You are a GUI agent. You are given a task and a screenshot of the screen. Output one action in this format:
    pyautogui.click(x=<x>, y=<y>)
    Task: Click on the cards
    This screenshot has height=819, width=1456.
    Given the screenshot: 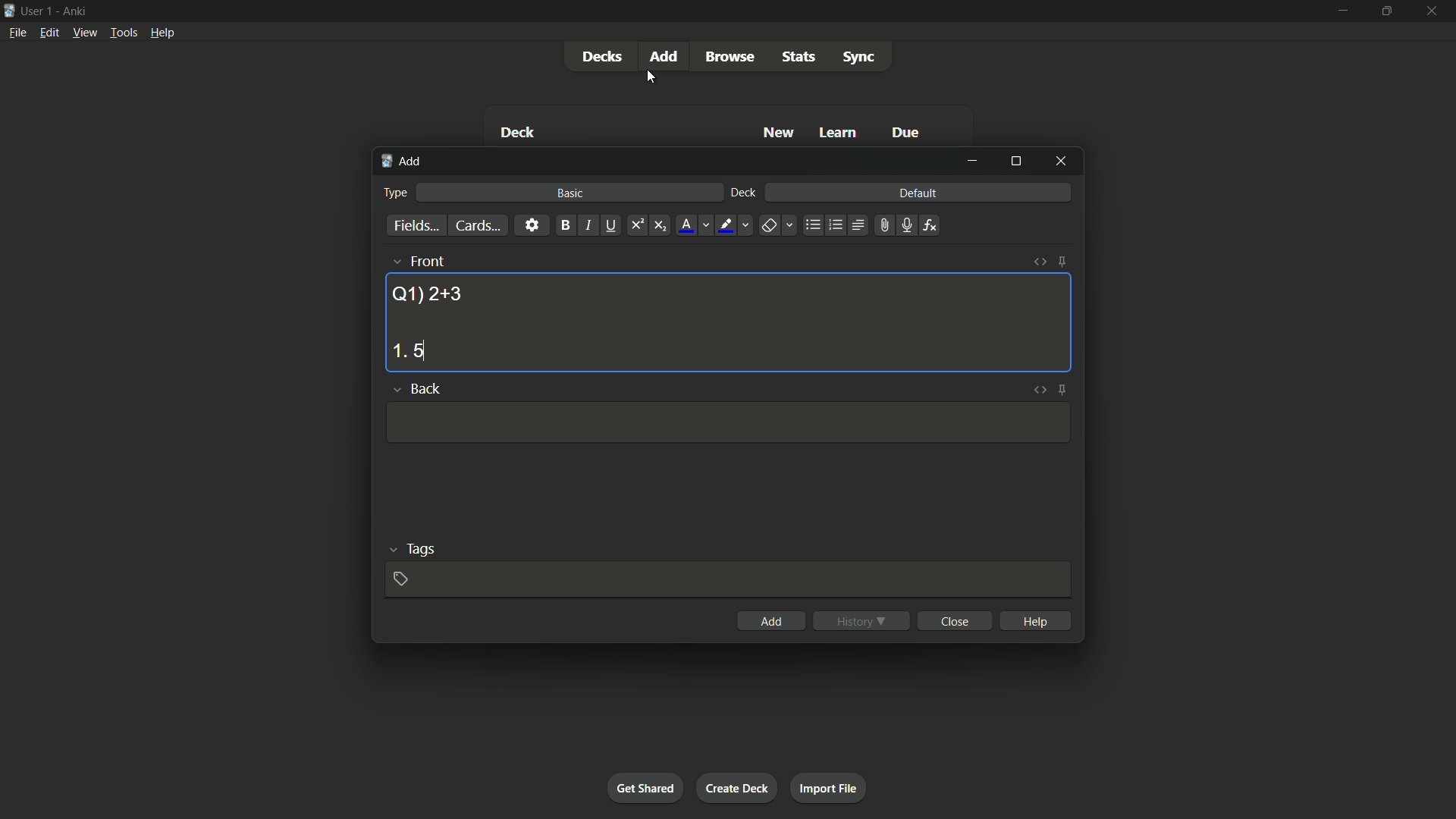 What is the action you would take?
    pyautogui.click(x=477, y=226)
    